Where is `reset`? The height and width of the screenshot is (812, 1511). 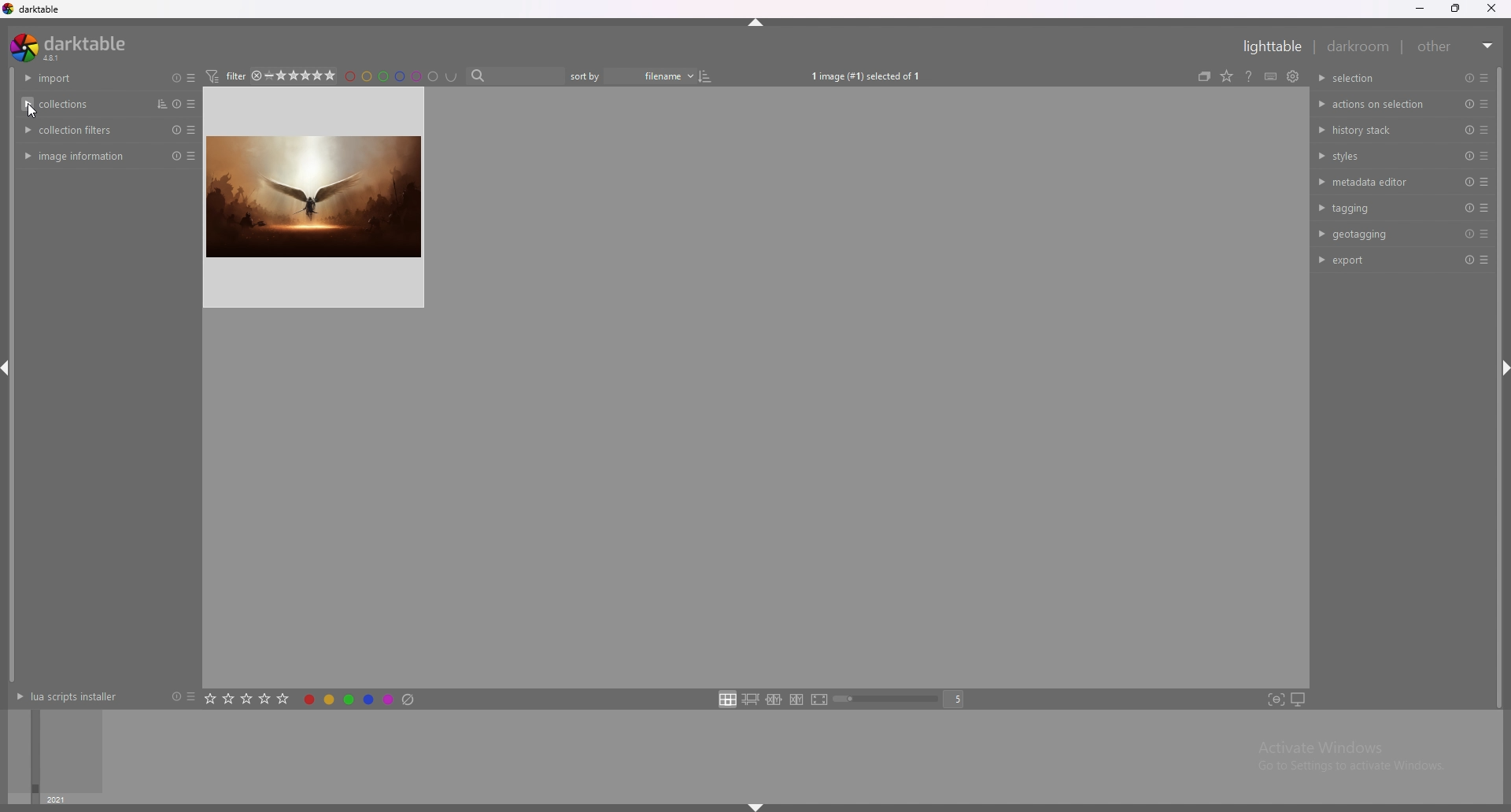
reset is located at coordinates (178, 105).